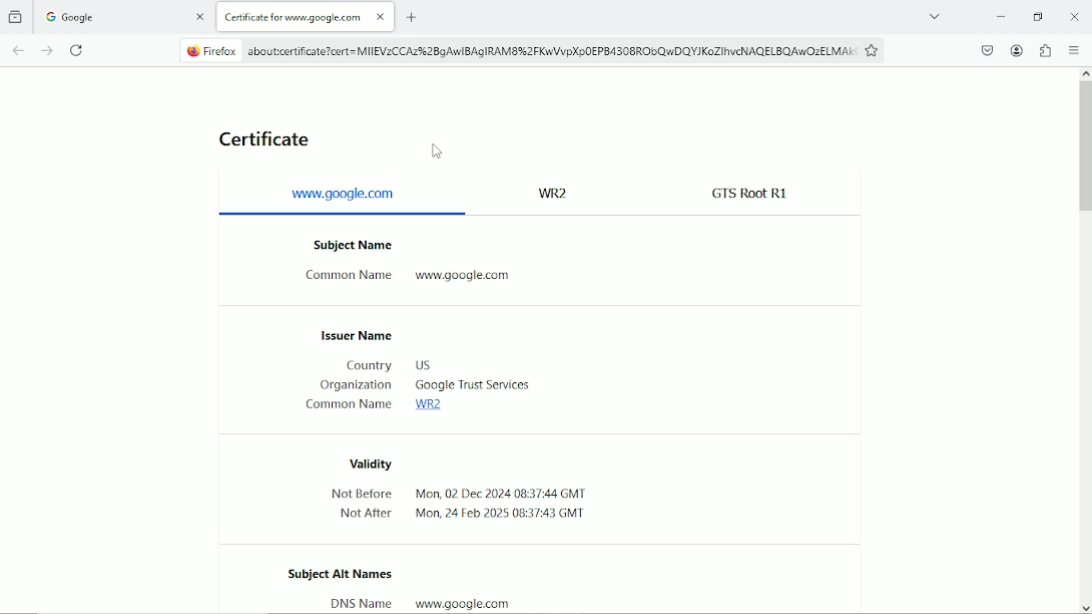  What do you see at coordinates (15, 49) in the screenshot?
I see `Go back` at bounding box center [15, 49].